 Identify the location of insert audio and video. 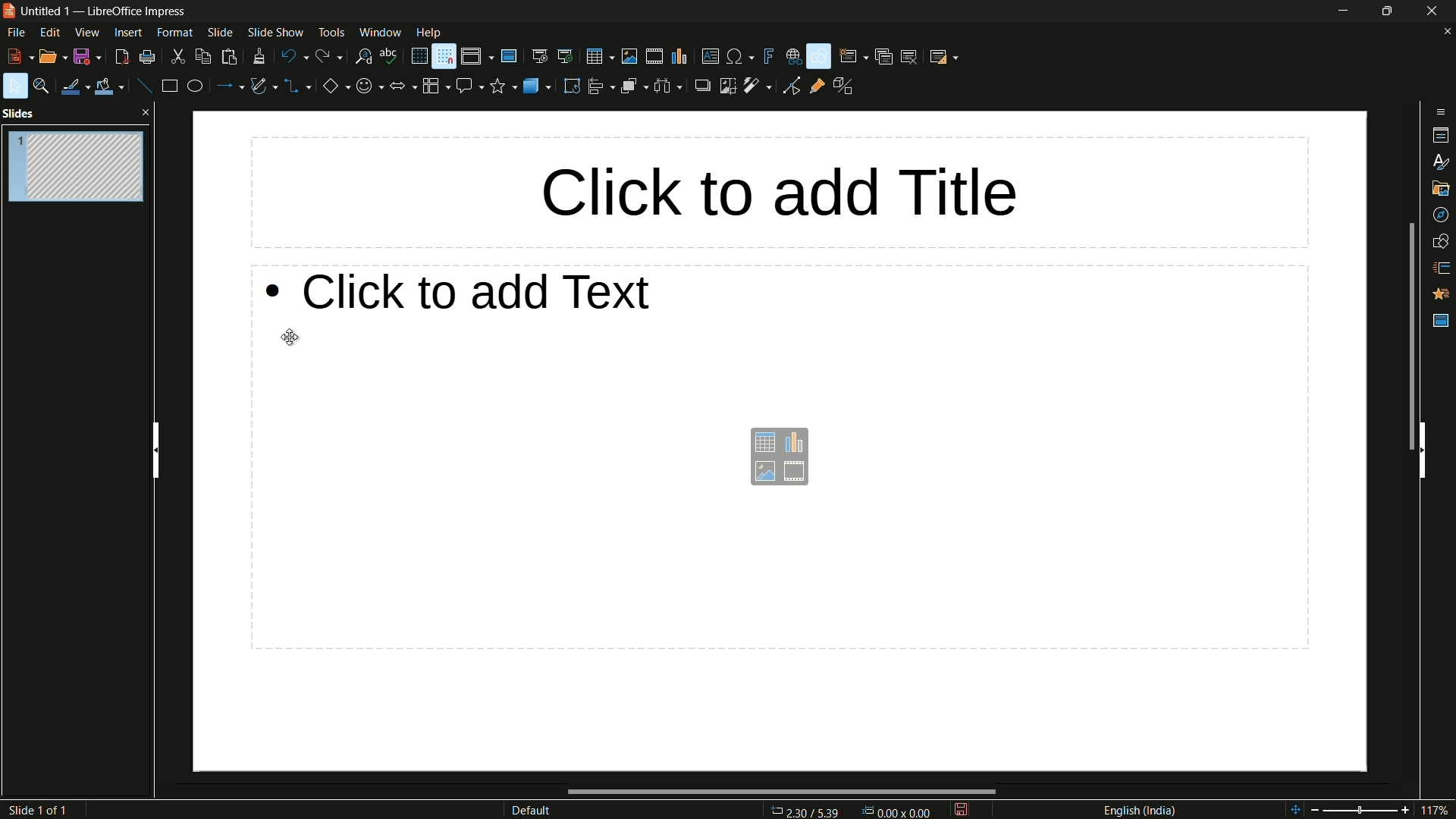
(795, 473).